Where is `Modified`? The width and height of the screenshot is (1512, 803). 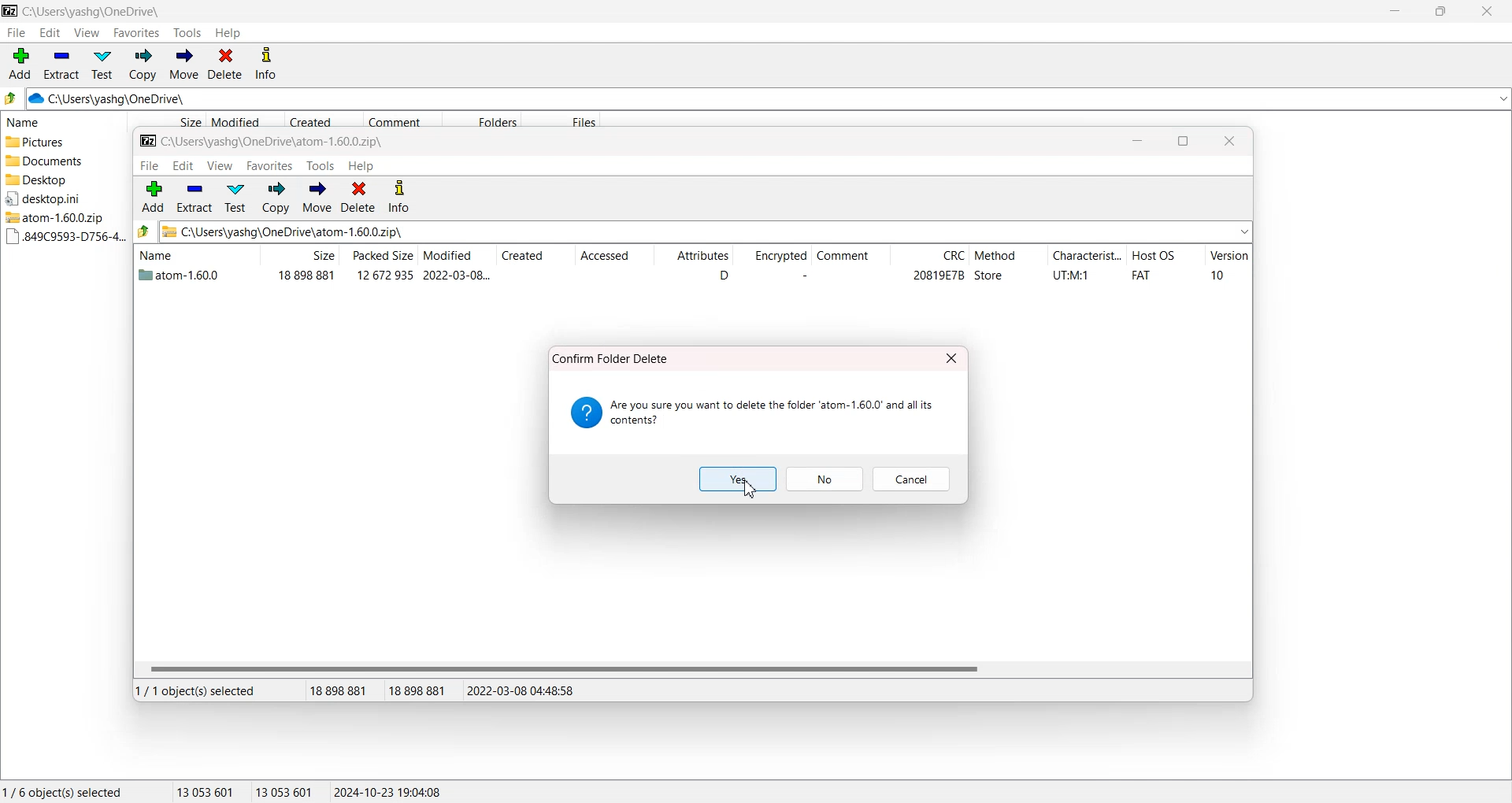 Modified is located at coordinates (455, 256).